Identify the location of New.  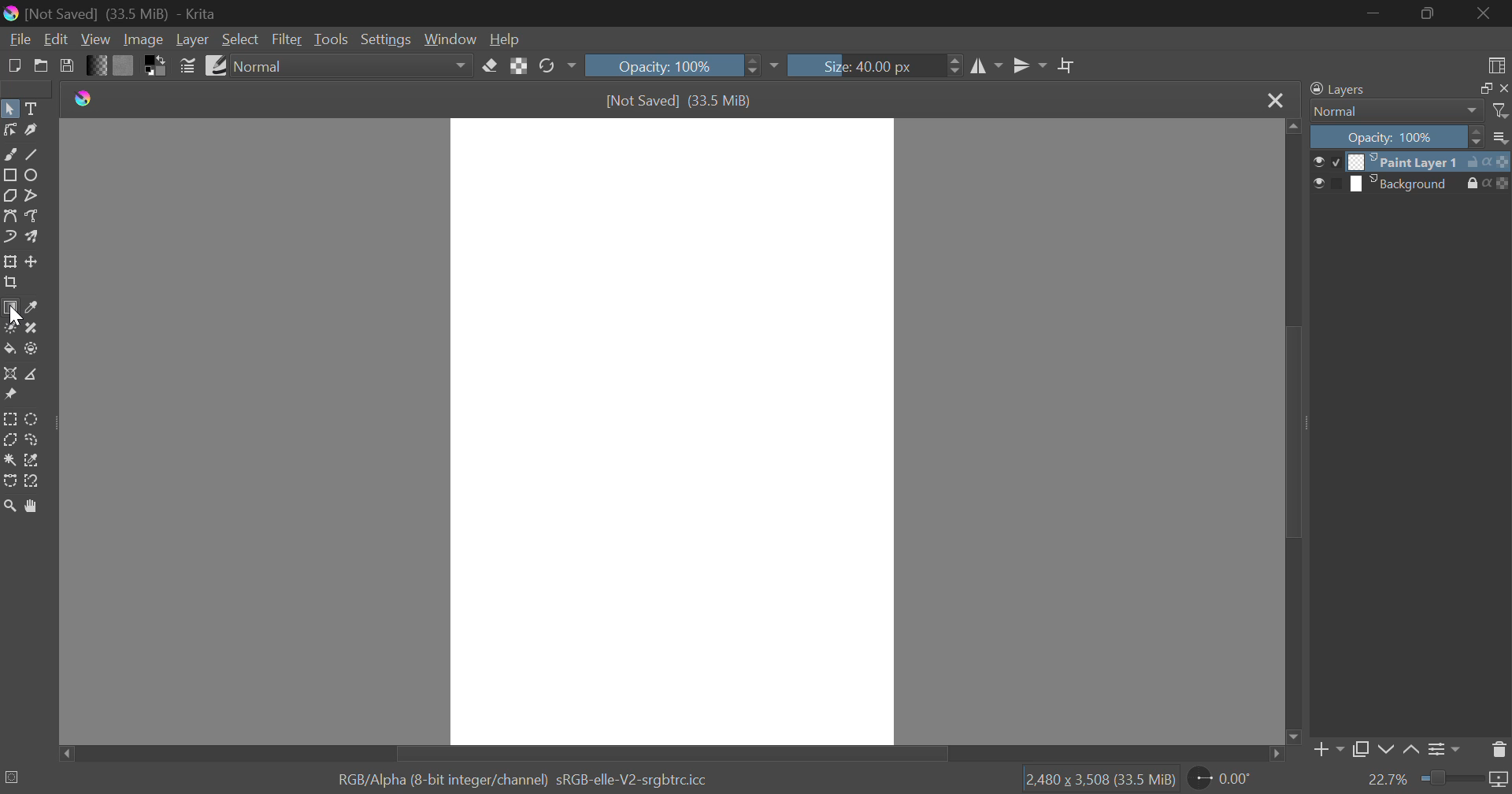
(13, 64).